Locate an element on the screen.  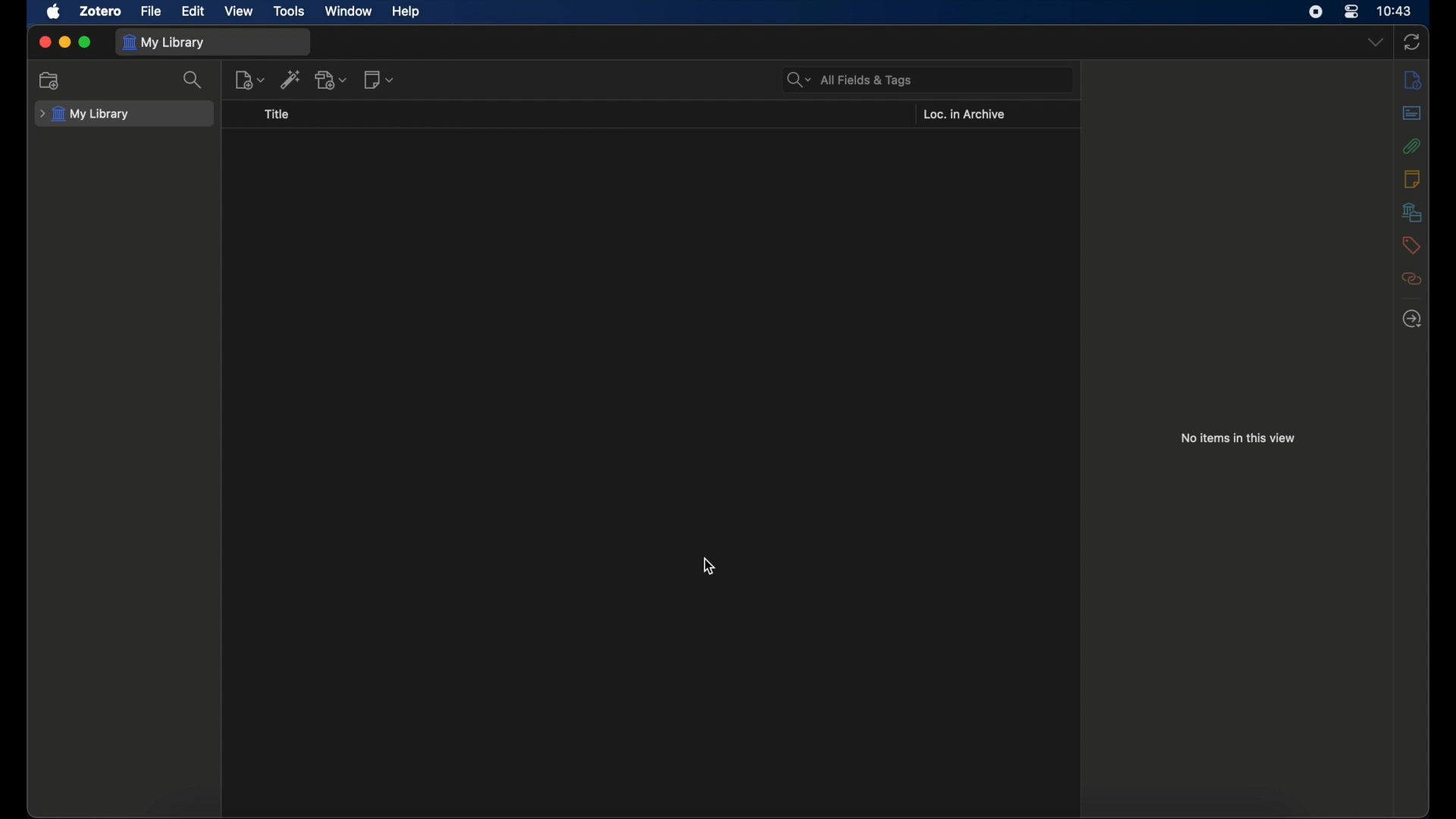
my library is located at coordinates (164, 42).